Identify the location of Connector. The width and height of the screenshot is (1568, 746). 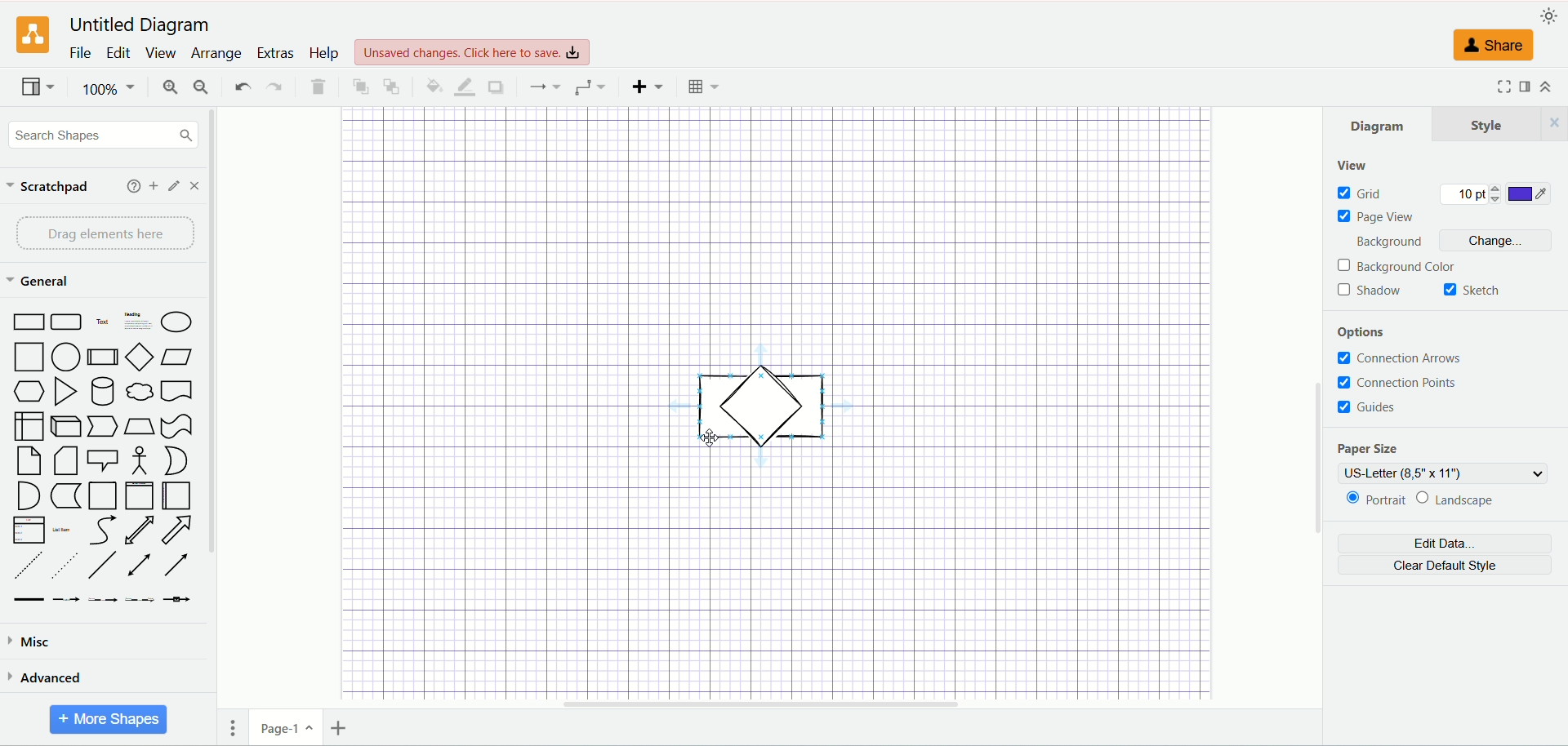
(72, 599).